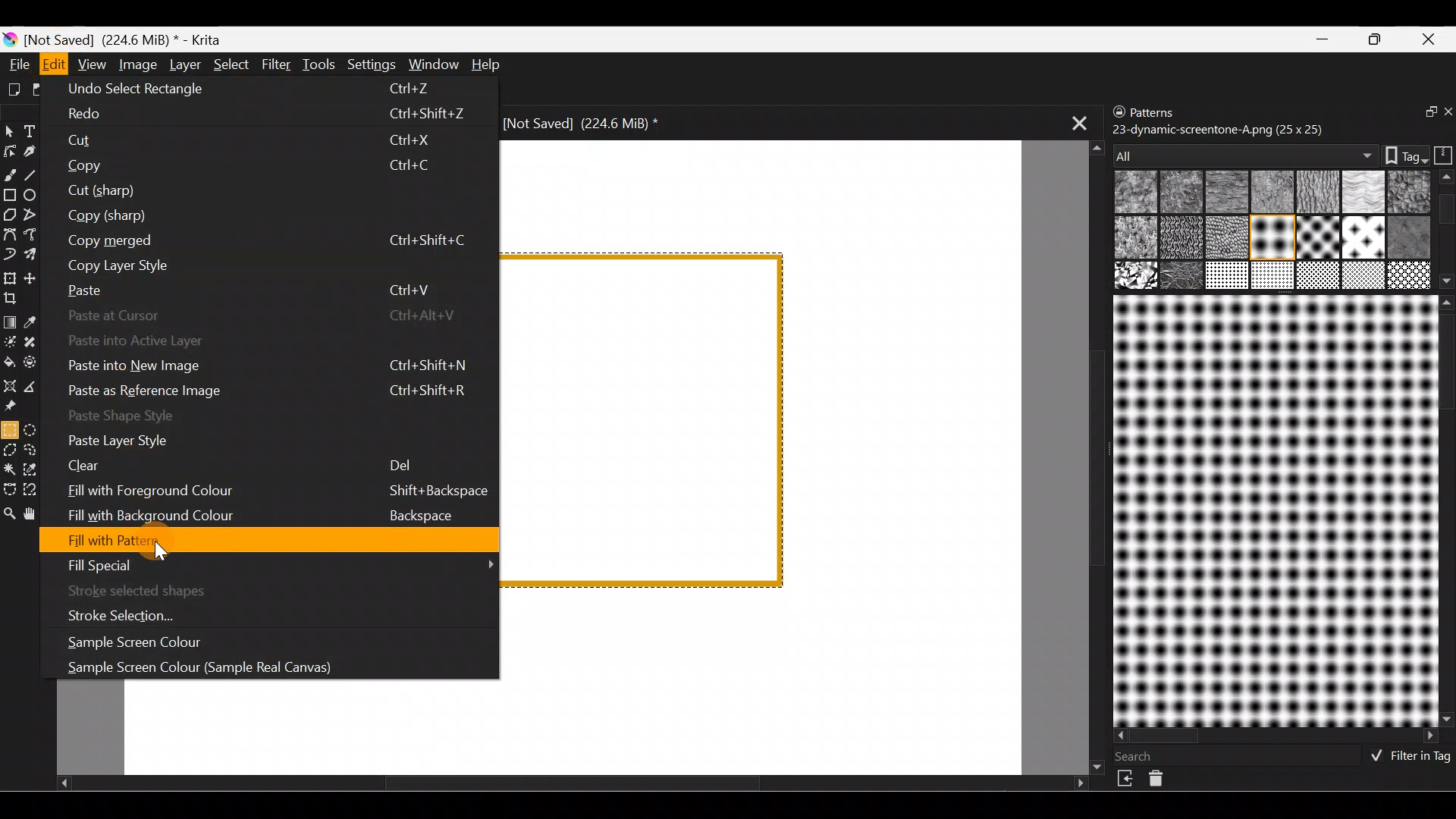  Describe the element at coordinates (10, 362) in the screenshot. I see `Fill a contiguous area of colour with colour` at that location.